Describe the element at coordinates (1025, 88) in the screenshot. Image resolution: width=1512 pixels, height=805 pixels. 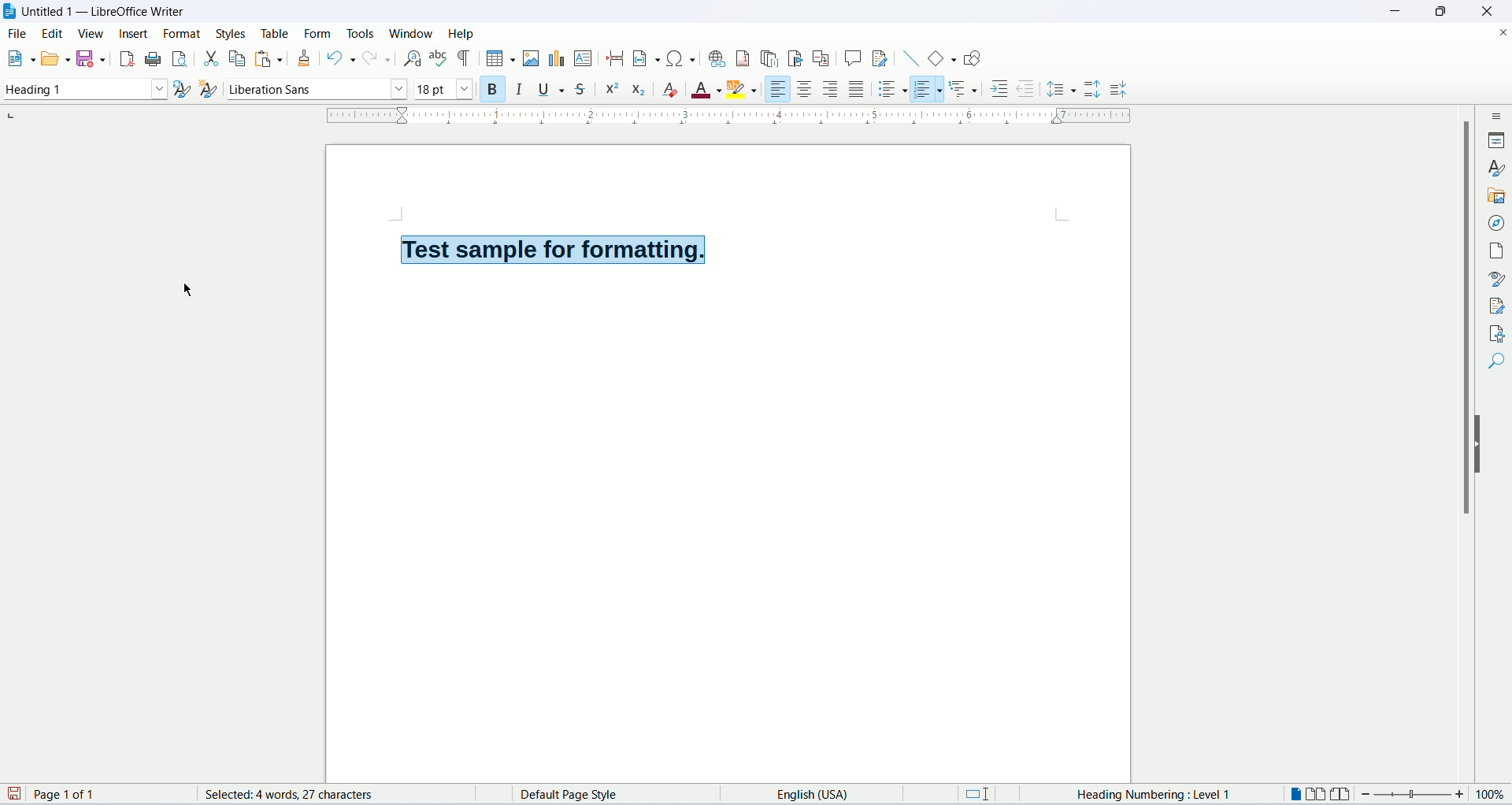
I see `decrease indent` at that location.